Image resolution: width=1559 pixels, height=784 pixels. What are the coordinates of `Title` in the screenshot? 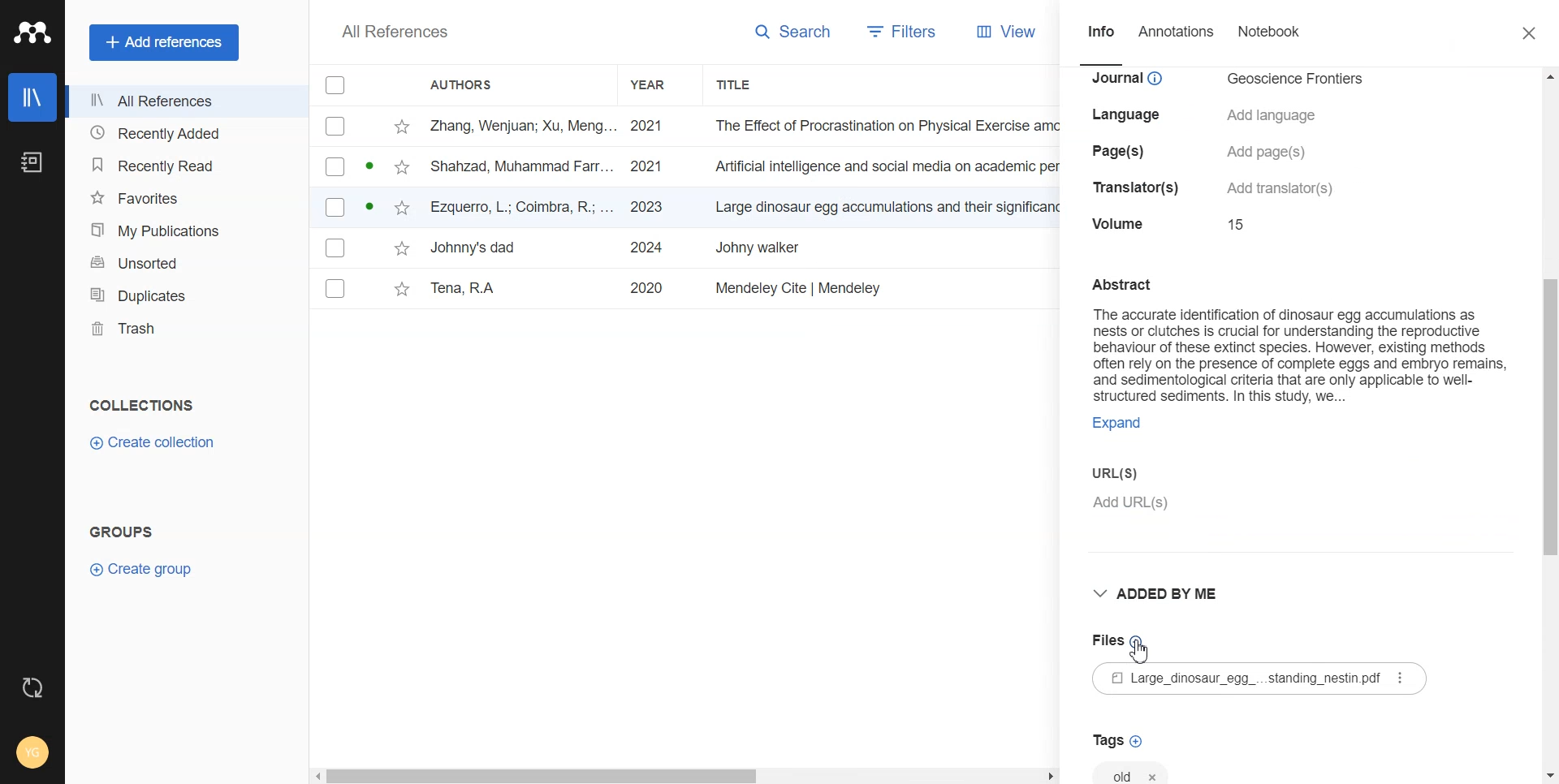 It's located at (746, 83).